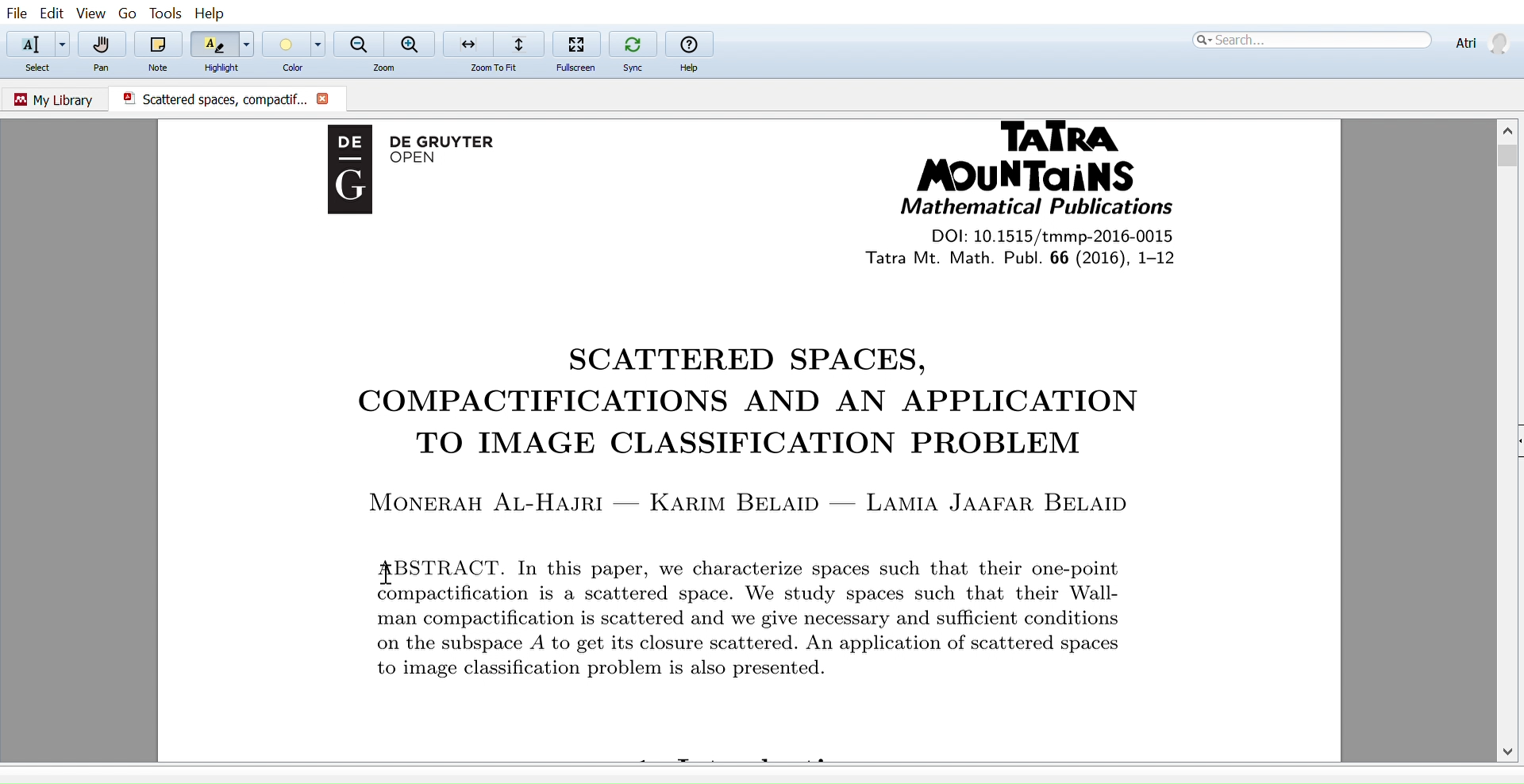 Image resolution: width=1524 pixels, height=784 pixels. Describe the element at coordinates (692, 68) in the screenshot. I see `Help` at that location.